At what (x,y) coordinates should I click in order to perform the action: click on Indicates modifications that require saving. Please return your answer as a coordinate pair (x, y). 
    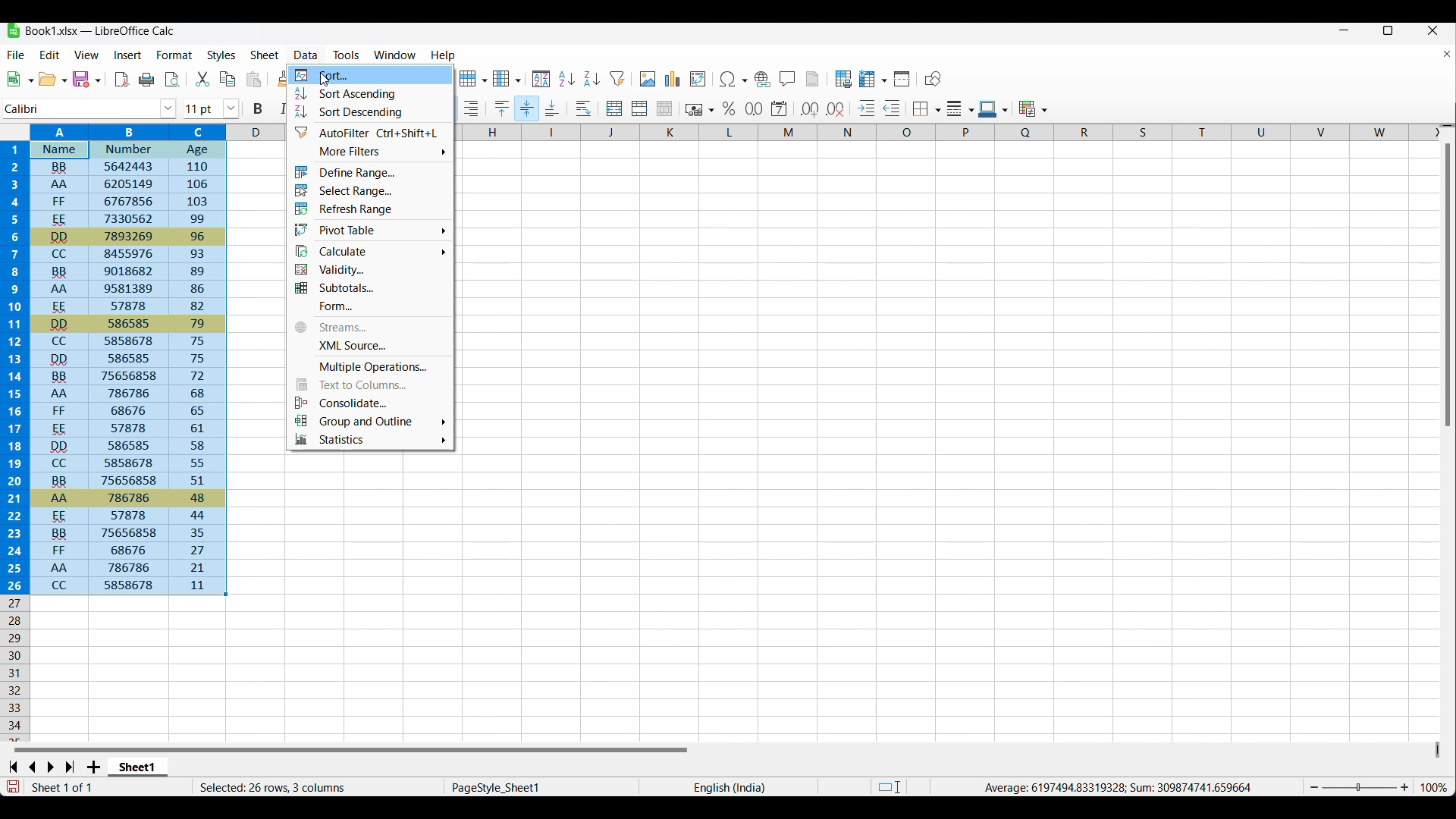
    Looking at the image, I should click on (12, 786).